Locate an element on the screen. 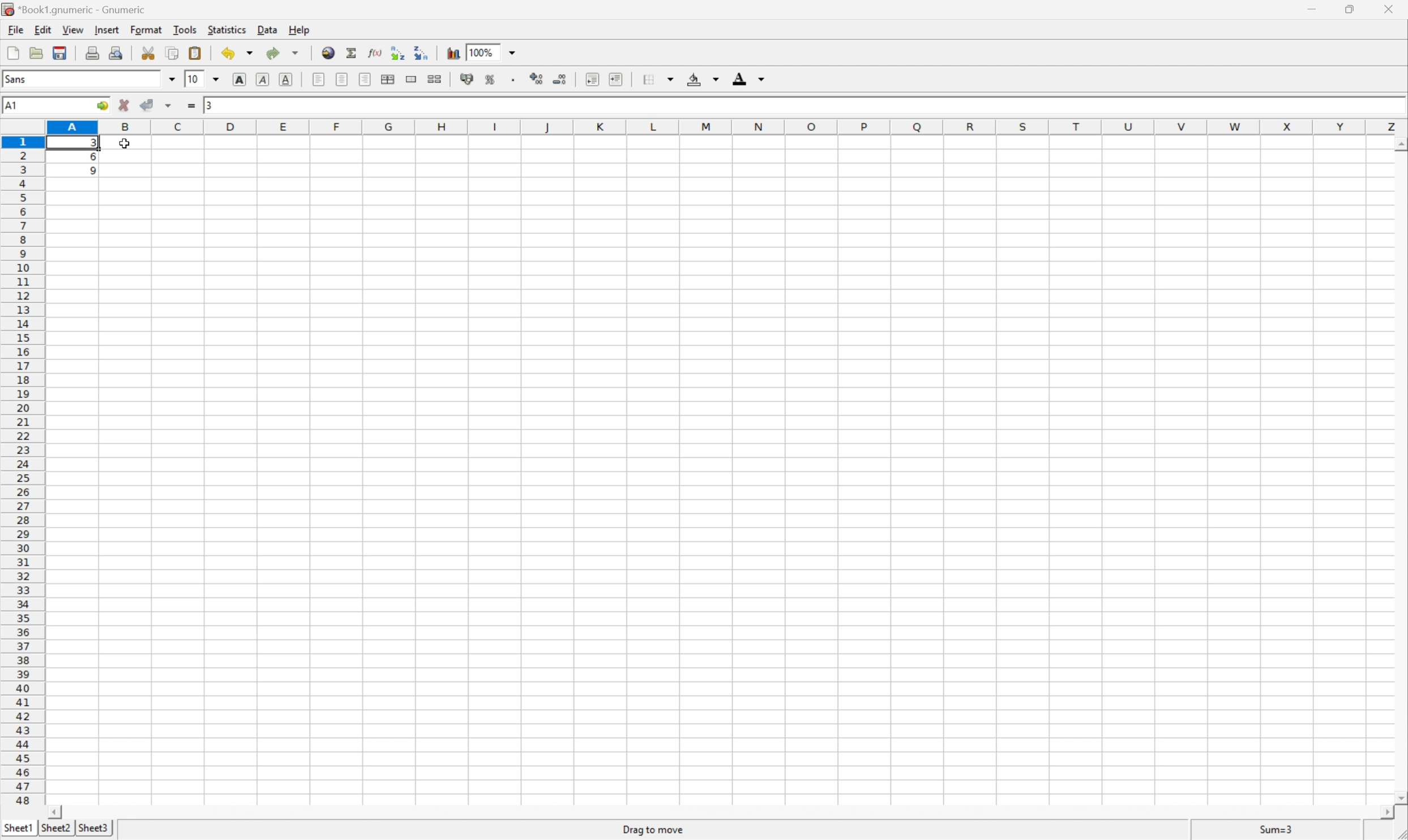 This screenshot has width=1408, height=840. Sheet2 is located at coordinates (55, 828).